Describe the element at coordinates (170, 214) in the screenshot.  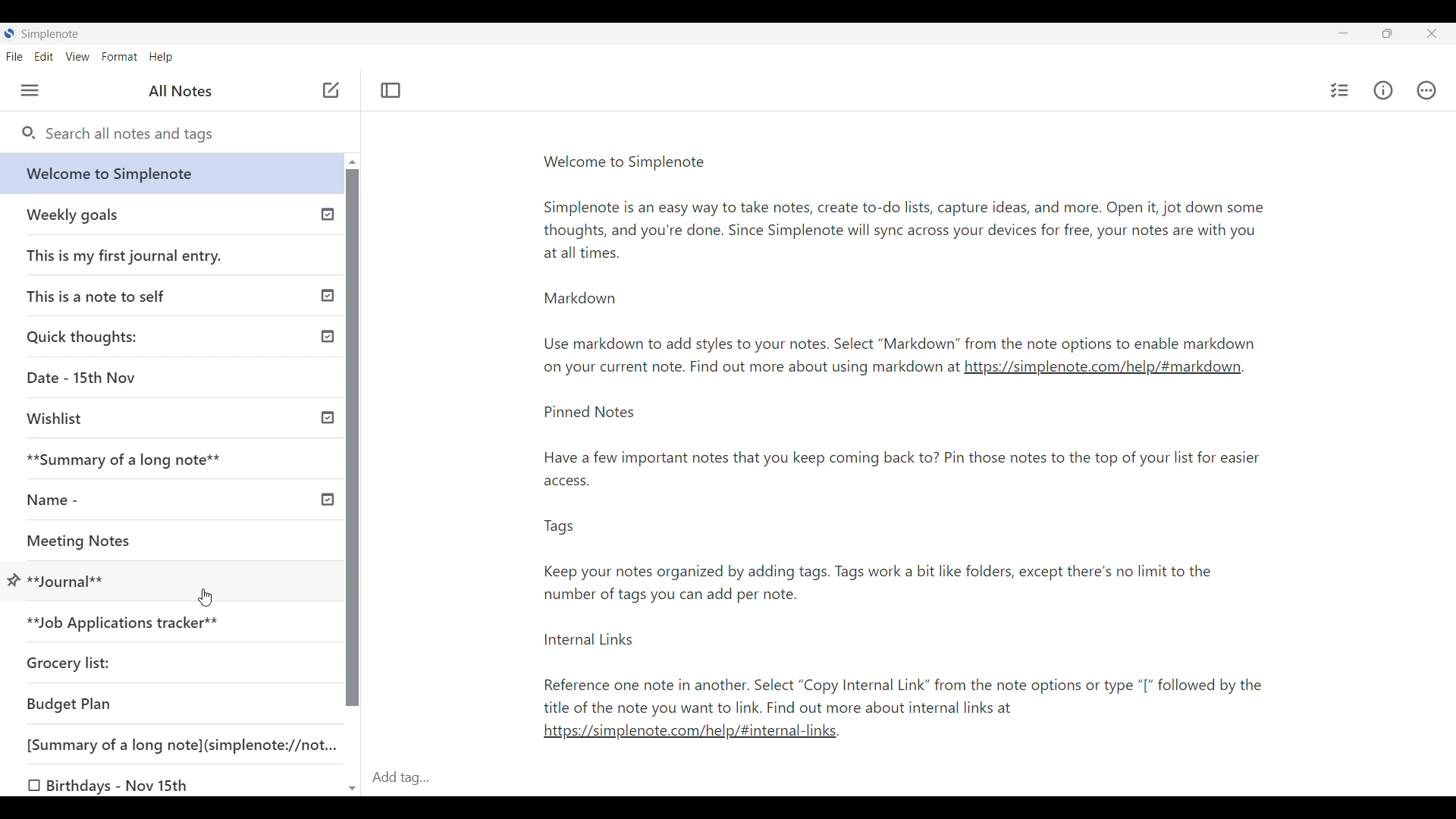
I see `weekly goals` at that location.